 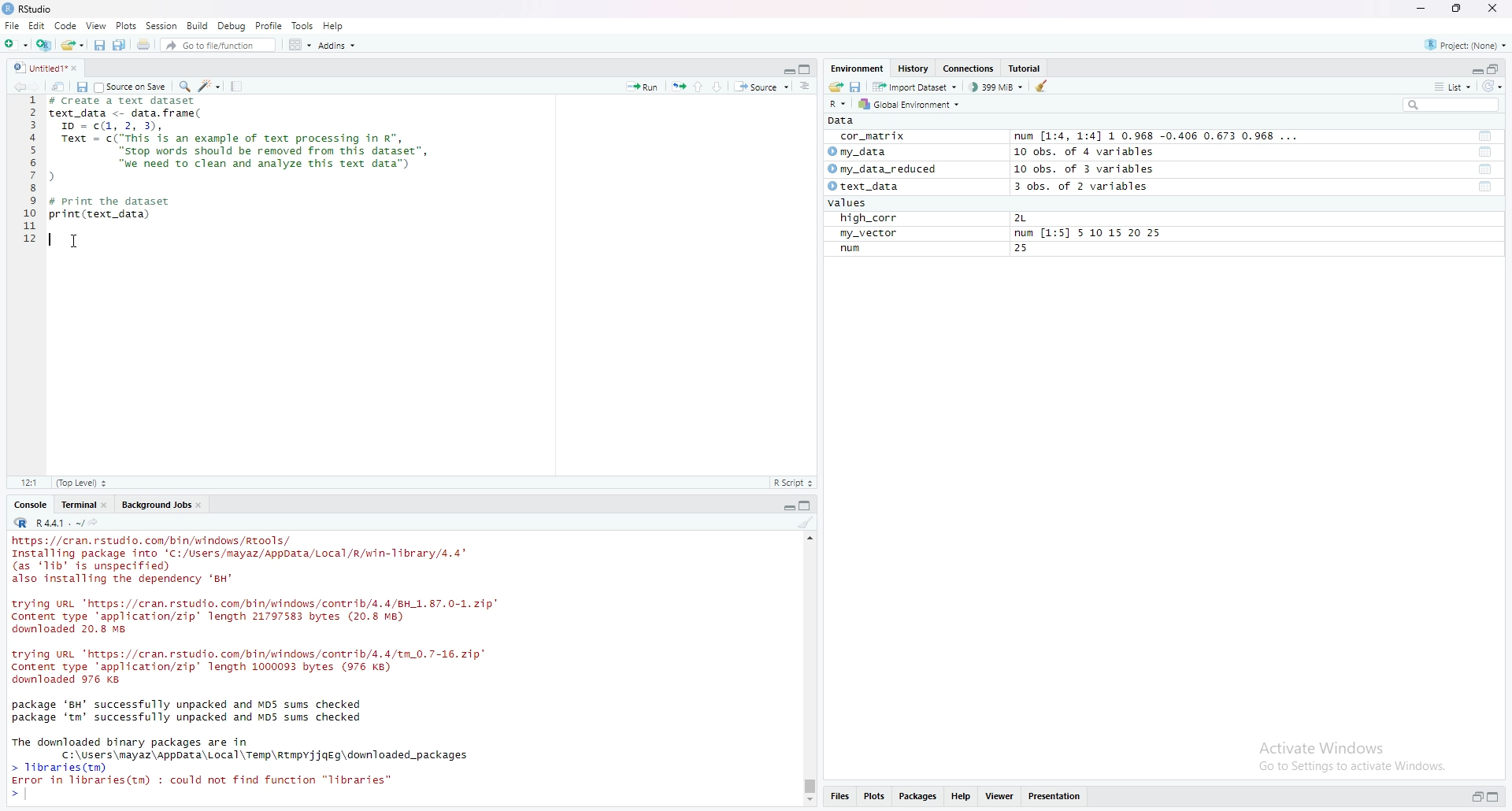 I want to click on code tools, so click(x=210, y=87).